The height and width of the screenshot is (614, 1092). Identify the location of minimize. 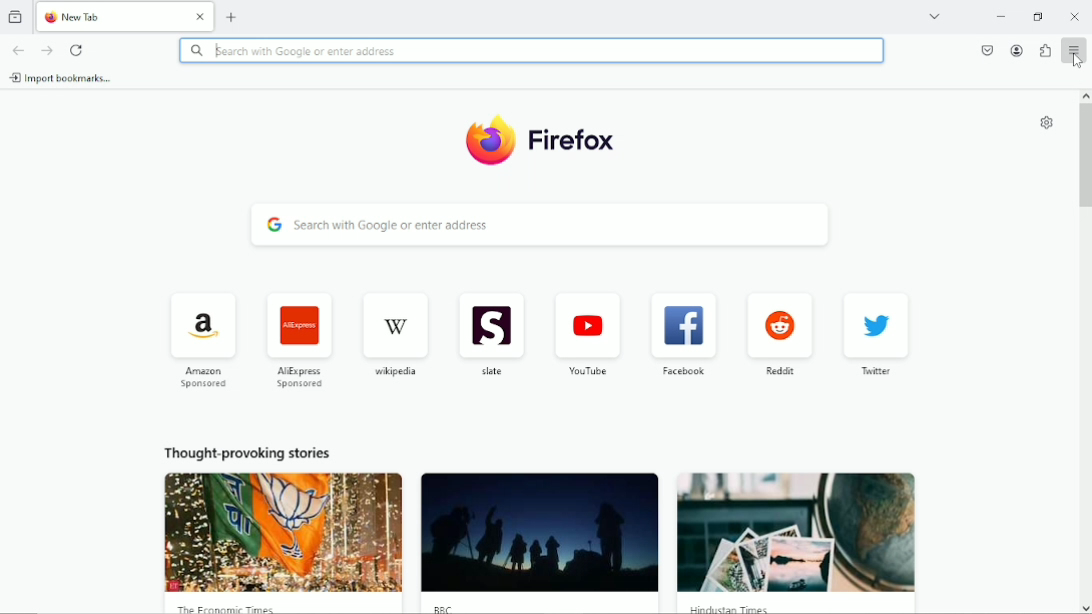
(1000, 15).